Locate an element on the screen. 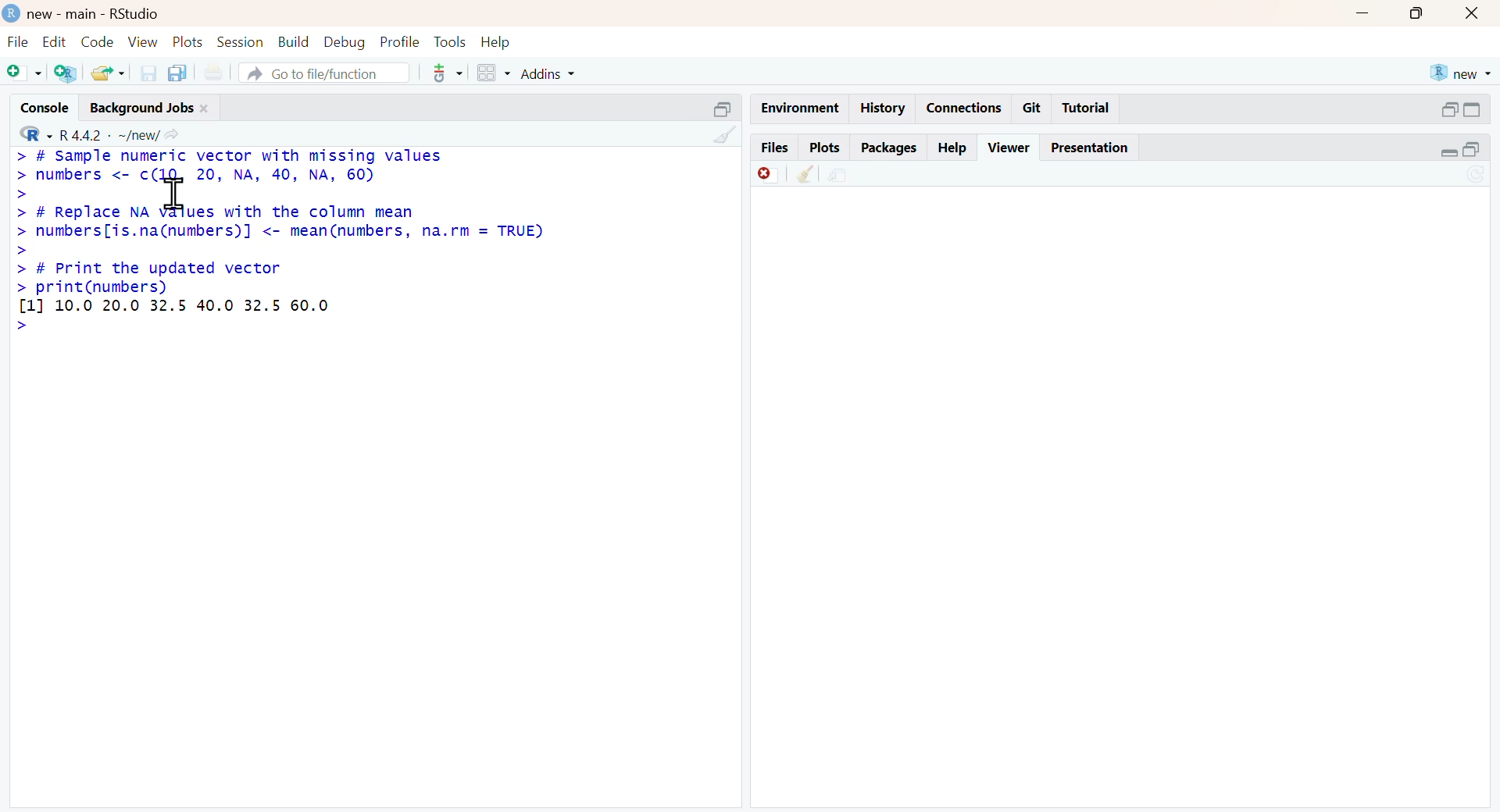  background jobs is located at coordinates (143, 109).